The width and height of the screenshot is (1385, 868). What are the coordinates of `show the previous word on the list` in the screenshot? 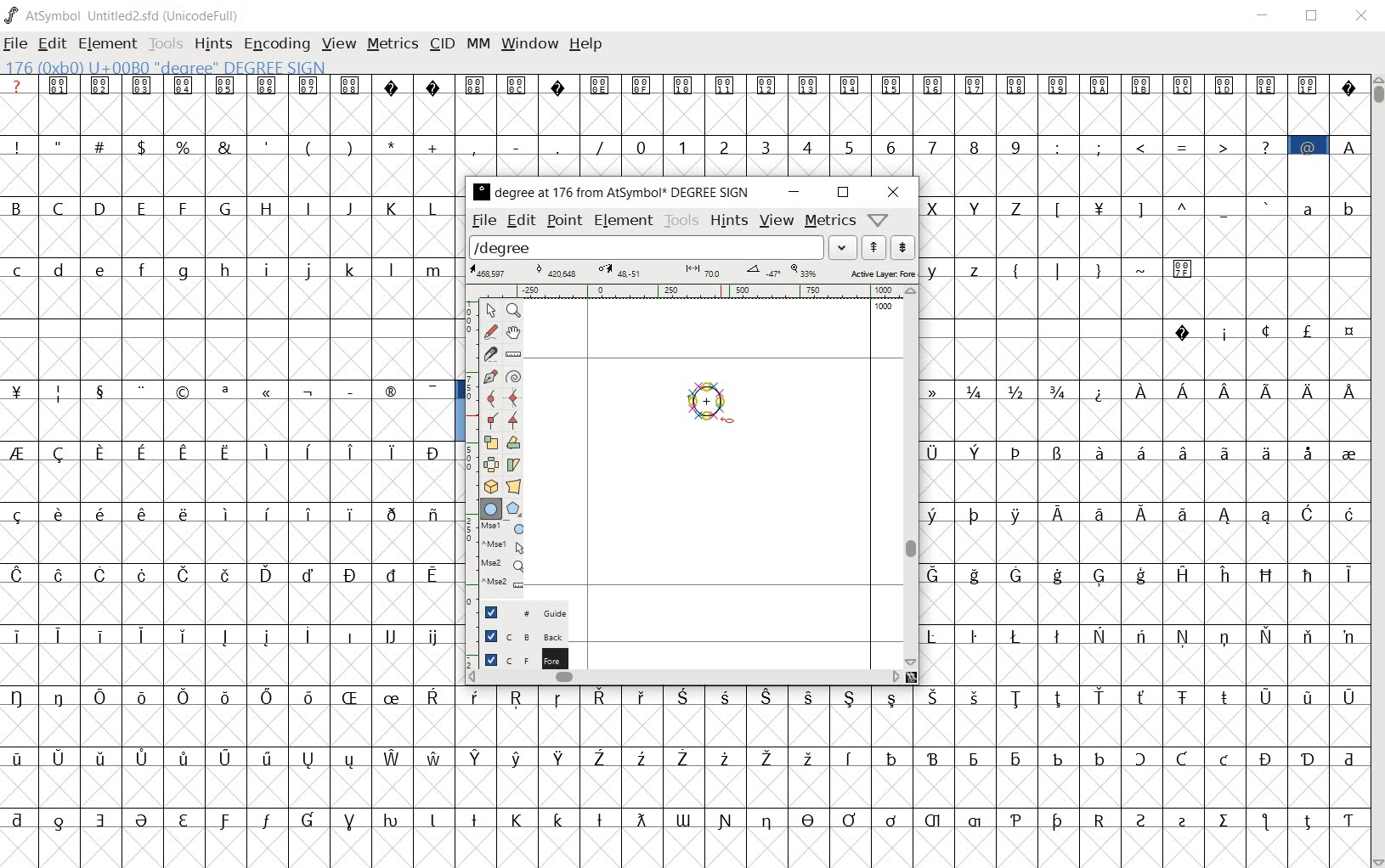 It's located at (902, 247).